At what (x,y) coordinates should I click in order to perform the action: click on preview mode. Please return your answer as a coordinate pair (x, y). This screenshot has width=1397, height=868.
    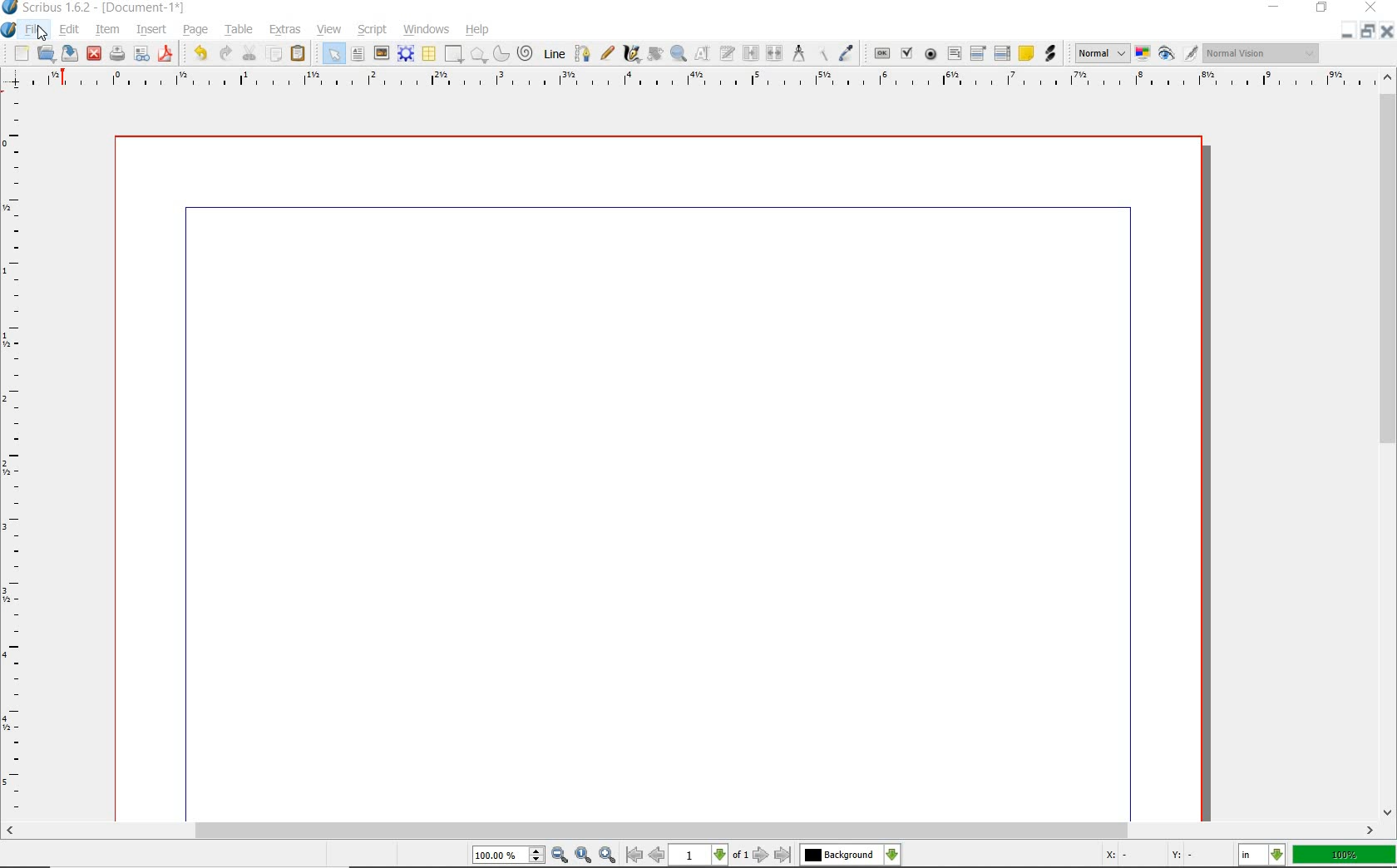
    Looking at the image, I should click on (1177, 55).